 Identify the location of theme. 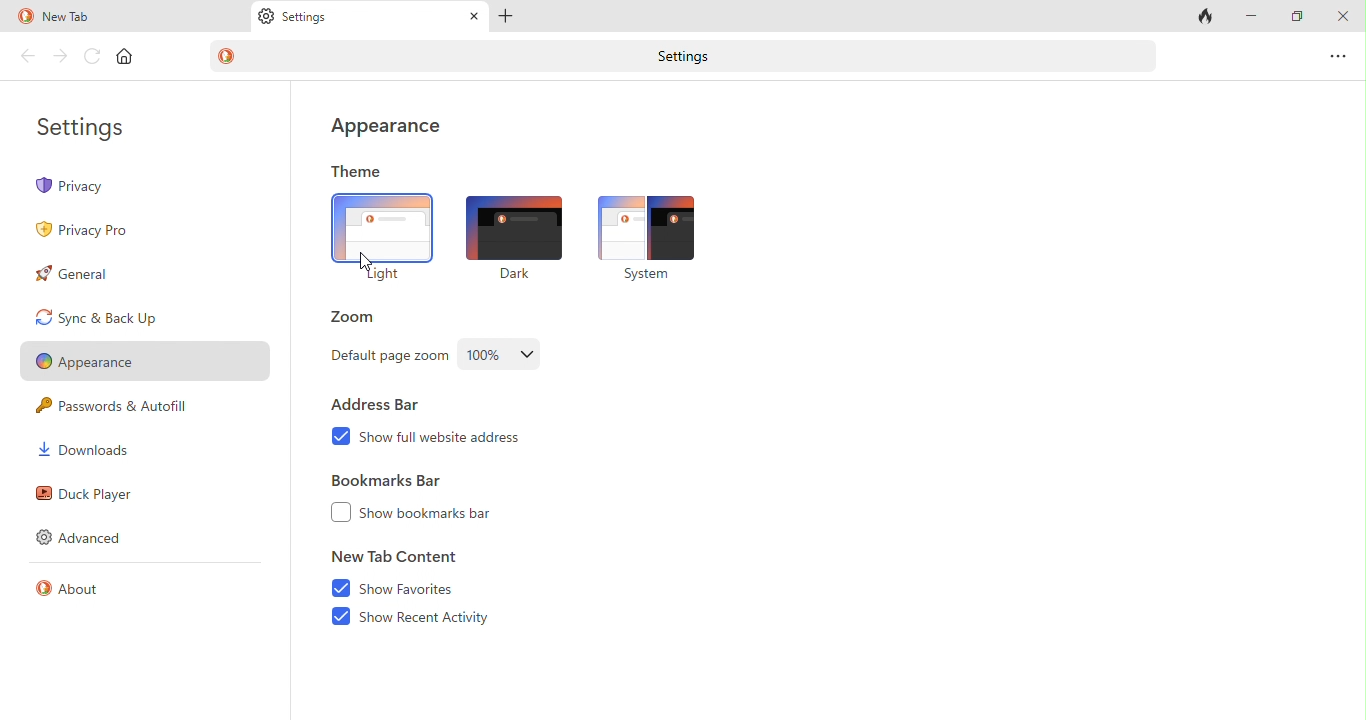
(359, 170).